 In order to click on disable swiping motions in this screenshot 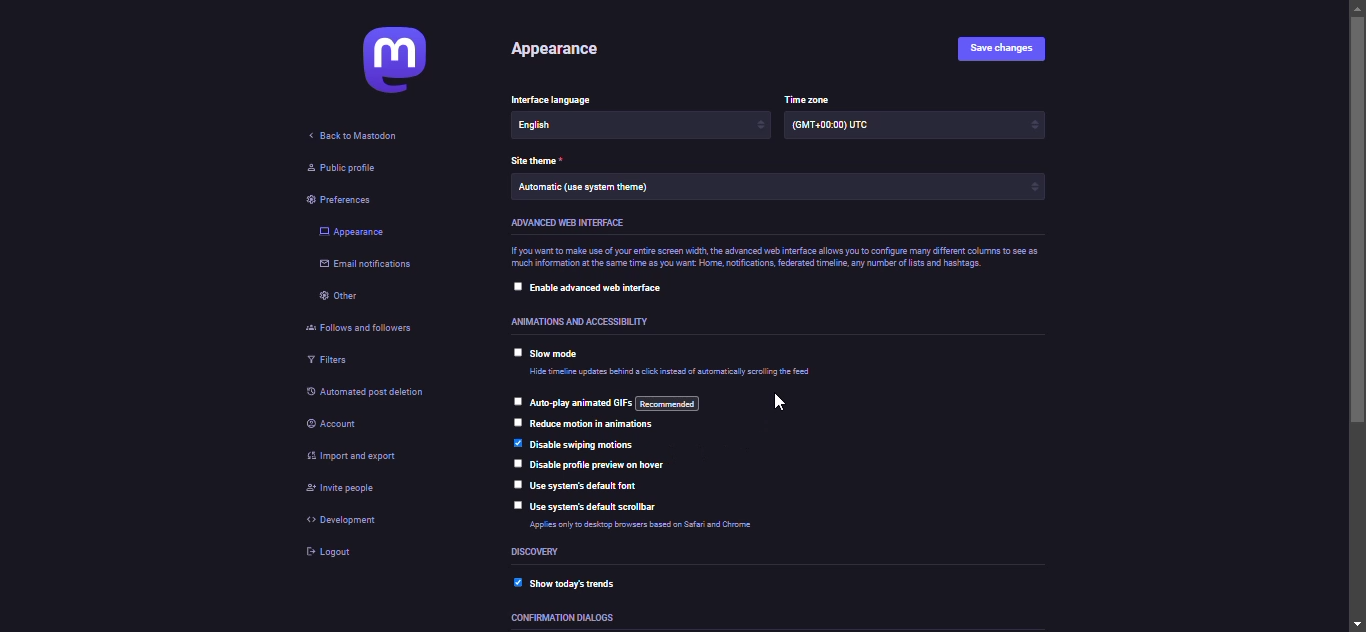, I will do `click(582, 446)`.